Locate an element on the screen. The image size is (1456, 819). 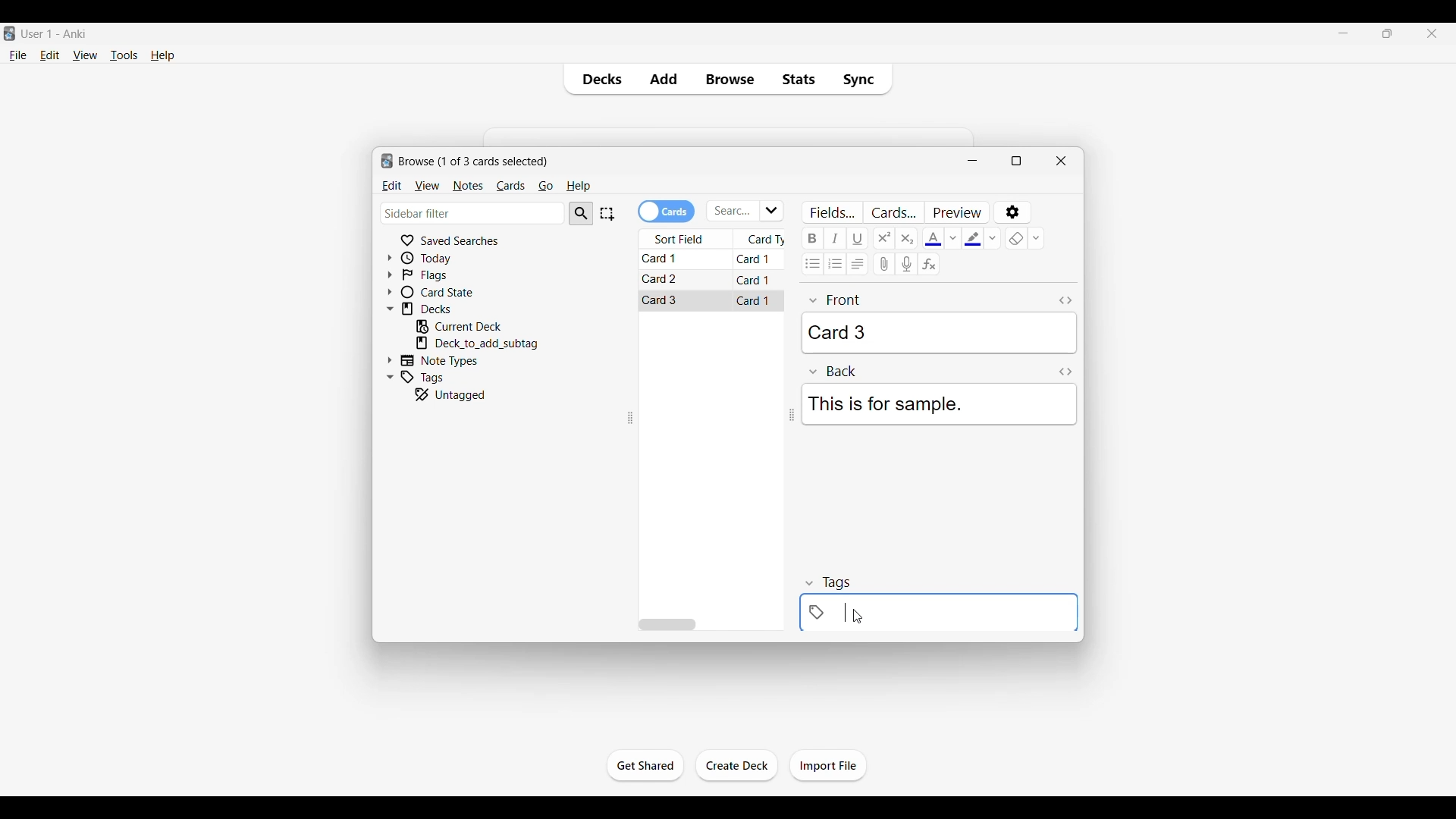
Selected text highlight color is located at coordinates (973, 238).